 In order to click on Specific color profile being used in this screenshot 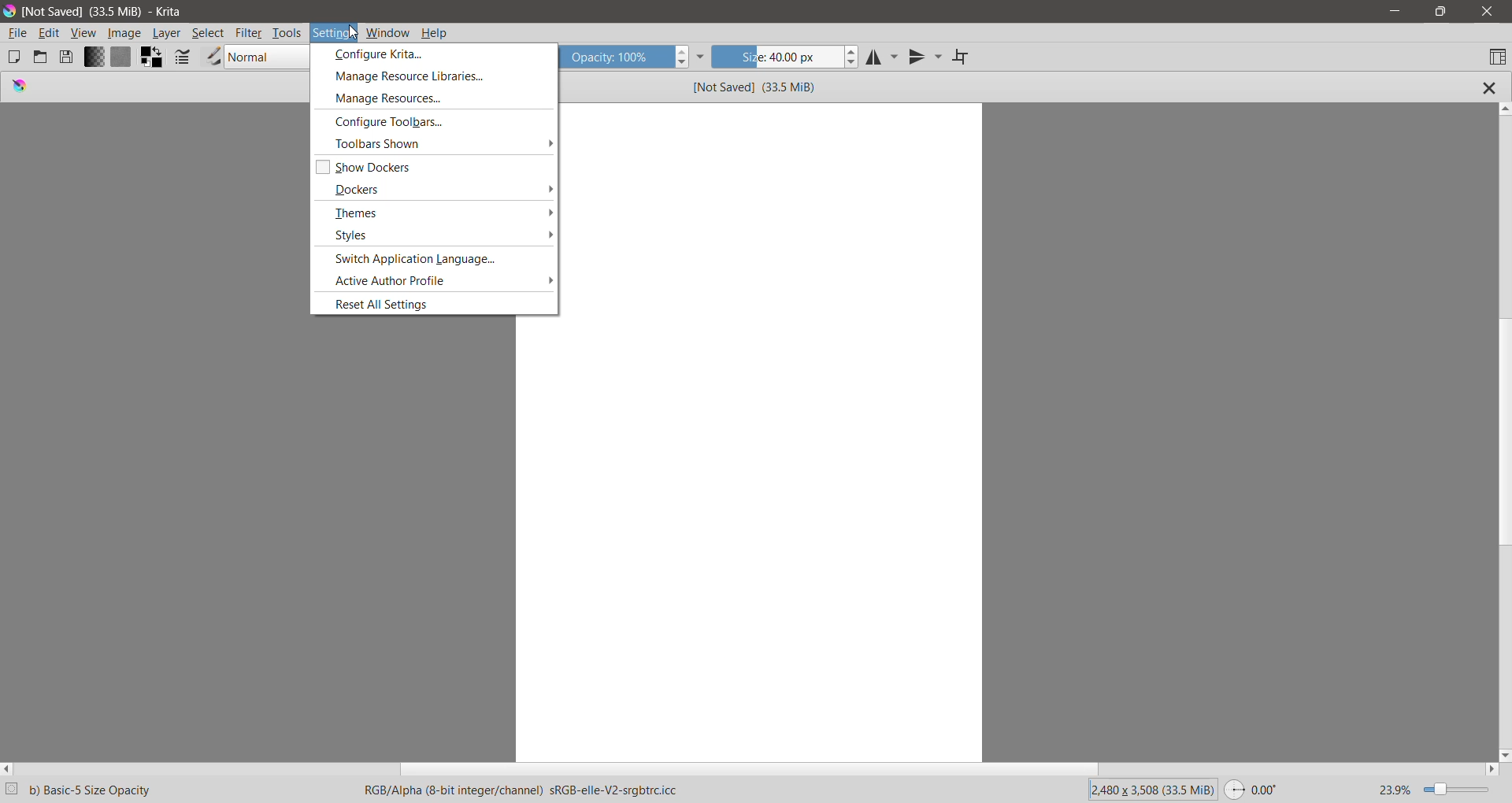, I will do `click(618, 791)`.